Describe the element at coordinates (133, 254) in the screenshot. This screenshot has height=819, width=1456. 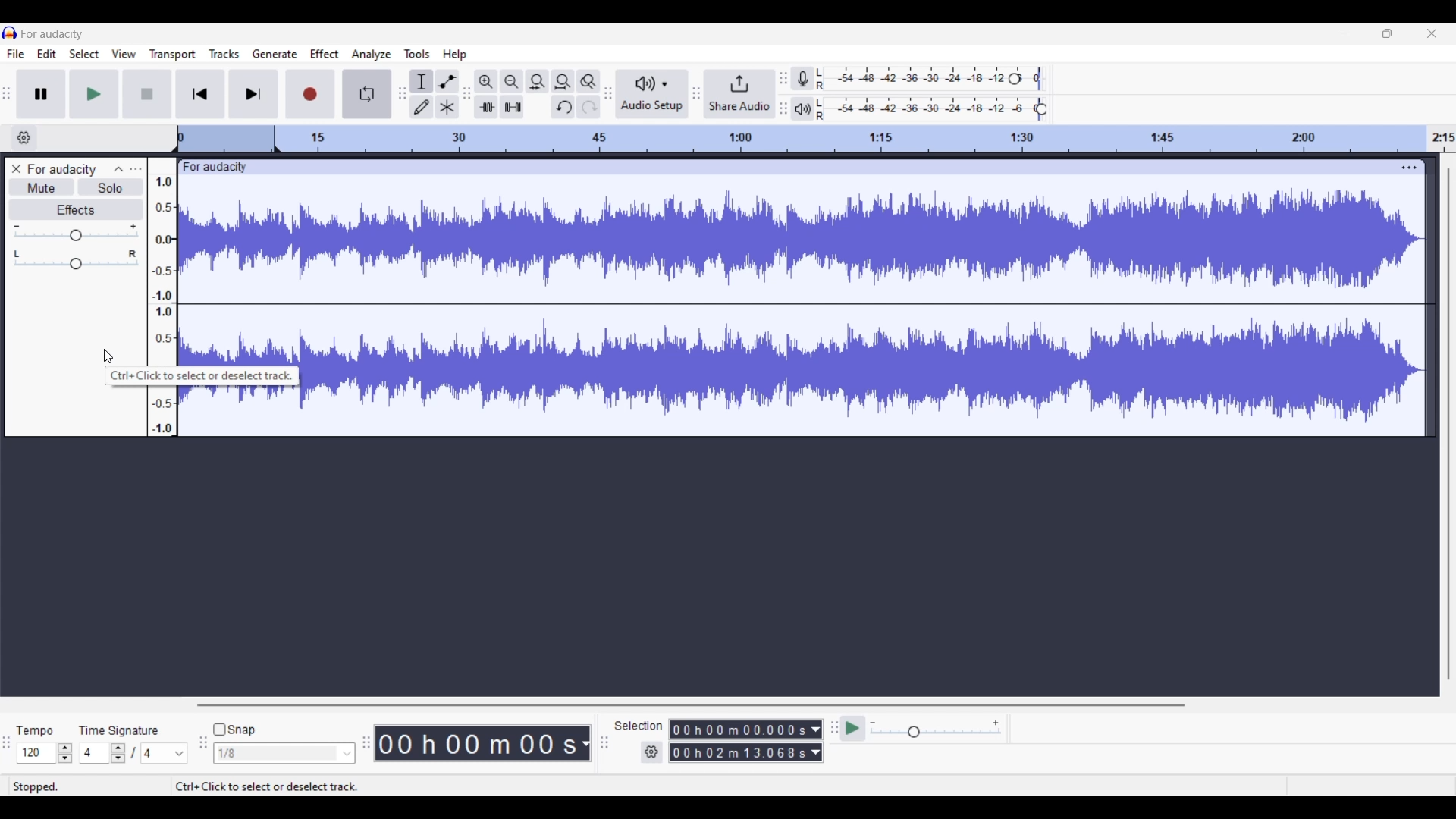
I see `Pan right` at that location.